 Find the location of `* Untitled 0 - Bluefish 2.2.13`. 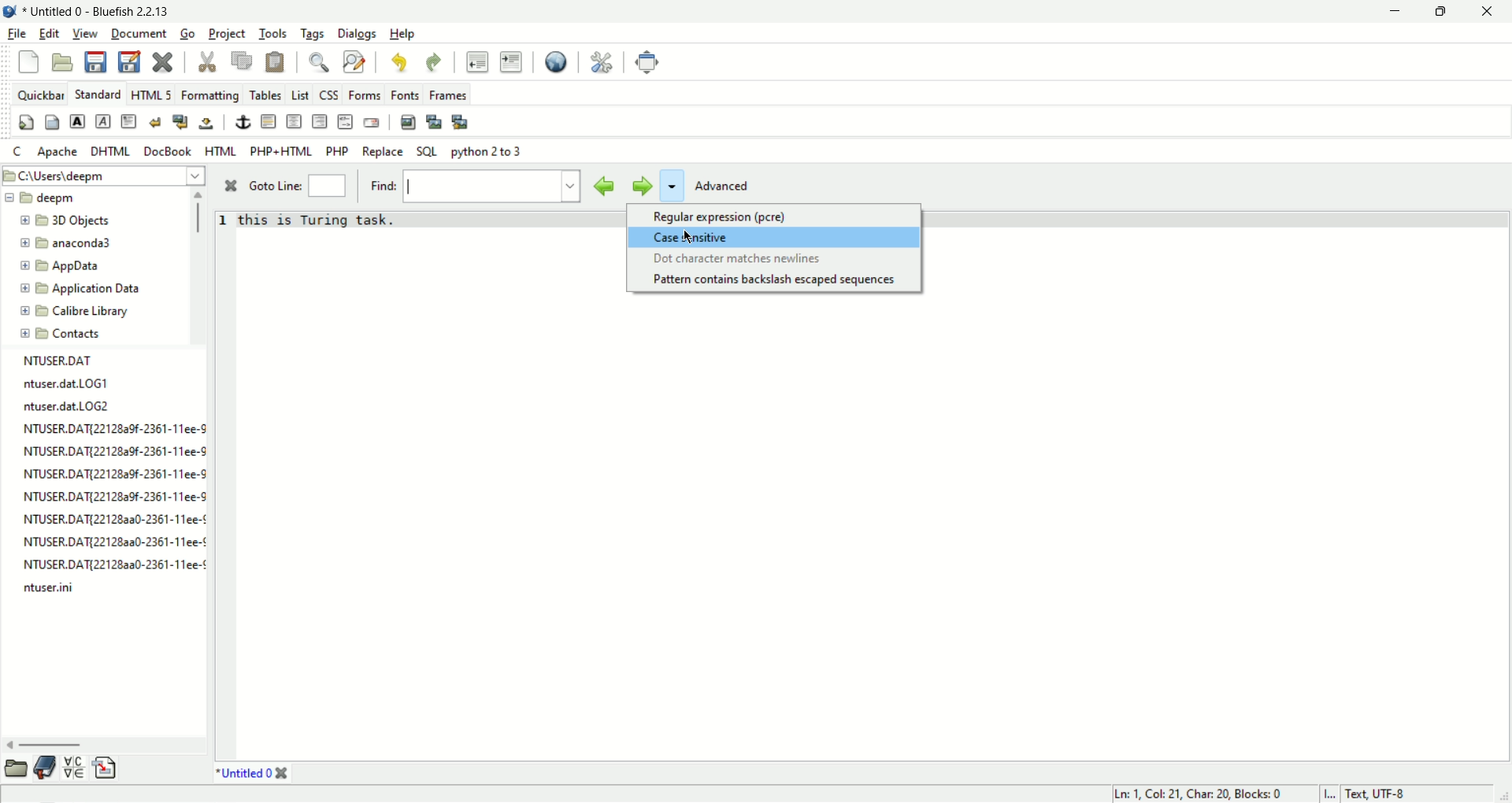

* Untitled 0 - Bluefish 2.2.13 is located at coordinates (106, 9).